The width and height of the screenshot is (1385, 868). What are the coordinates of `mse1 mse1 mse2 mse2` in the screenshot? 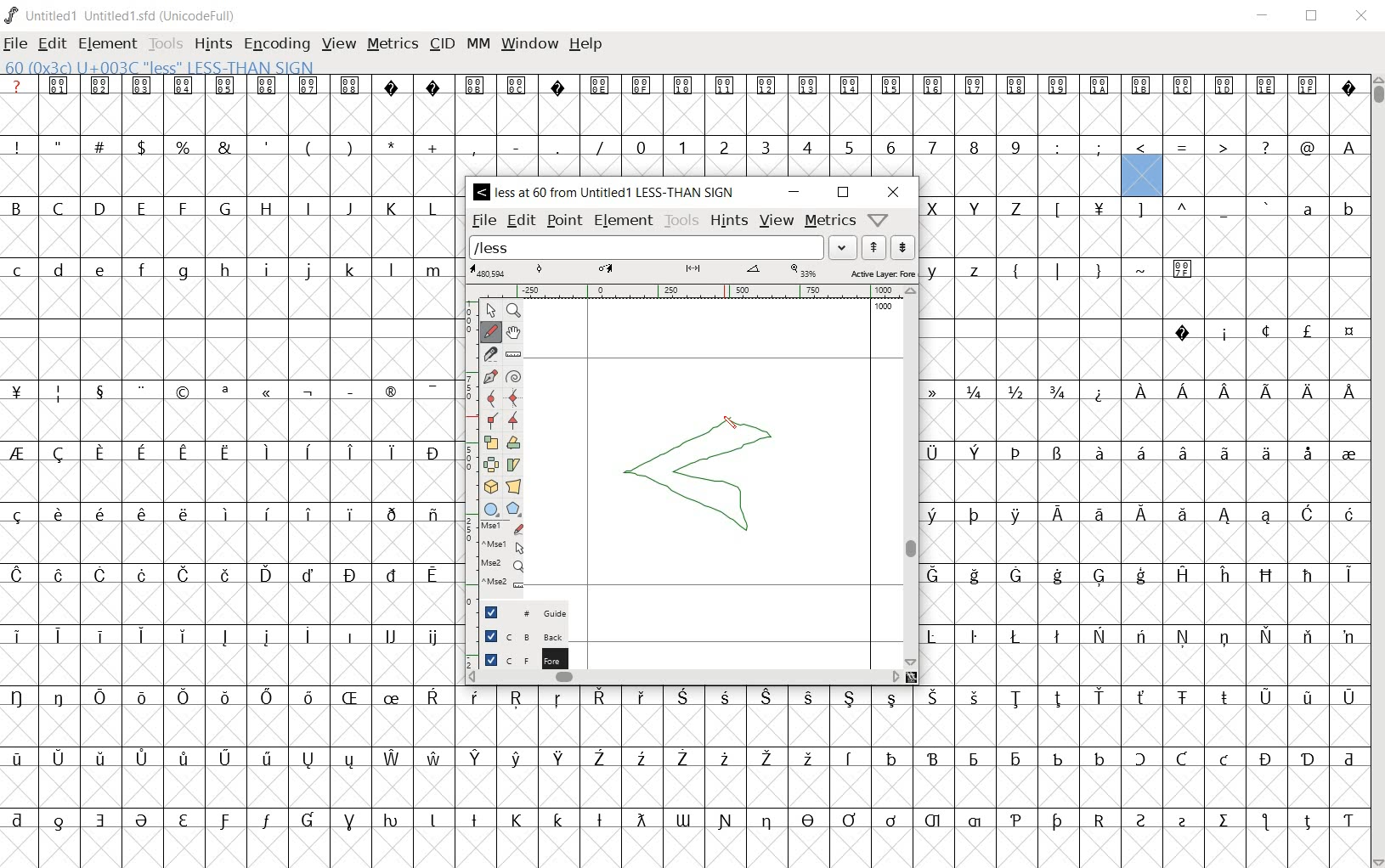 It's located at (506, 555).